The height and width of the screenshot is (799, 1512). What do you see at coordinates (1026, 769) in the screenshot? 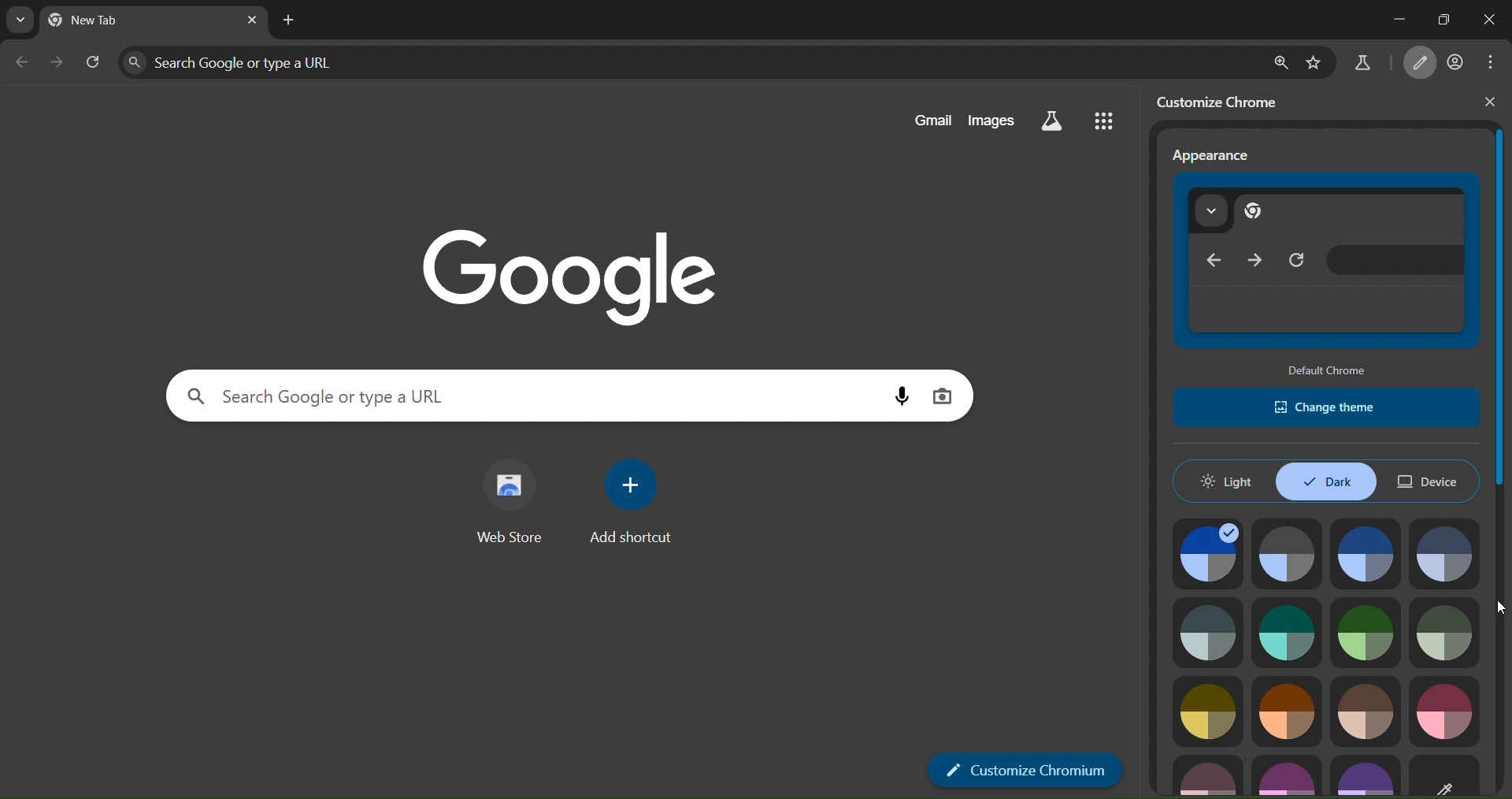
I see `customize chromium` at bounding box center [1026, 769].